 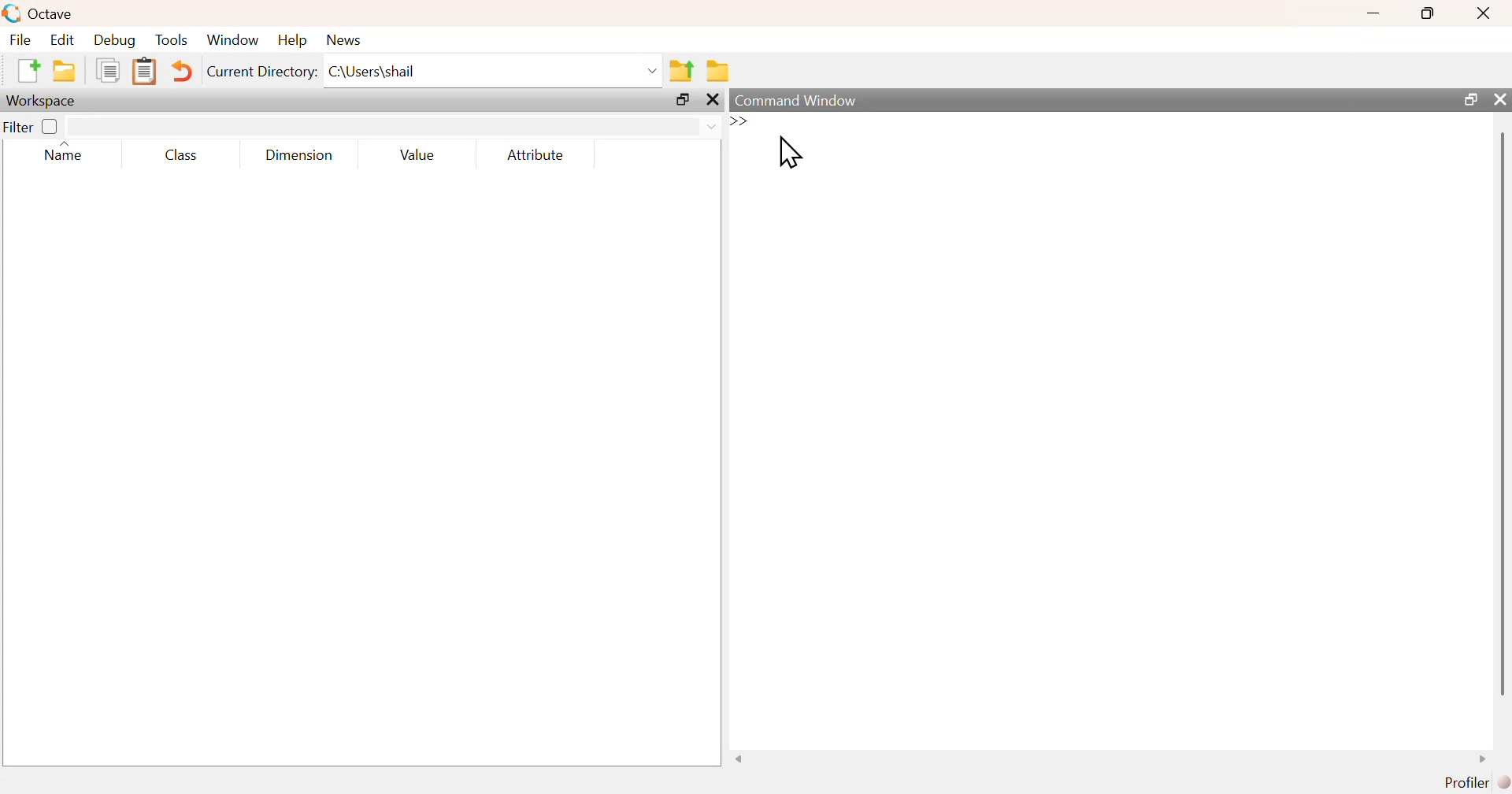 I want to click on scroll bar, so click(x=1502, y=413).